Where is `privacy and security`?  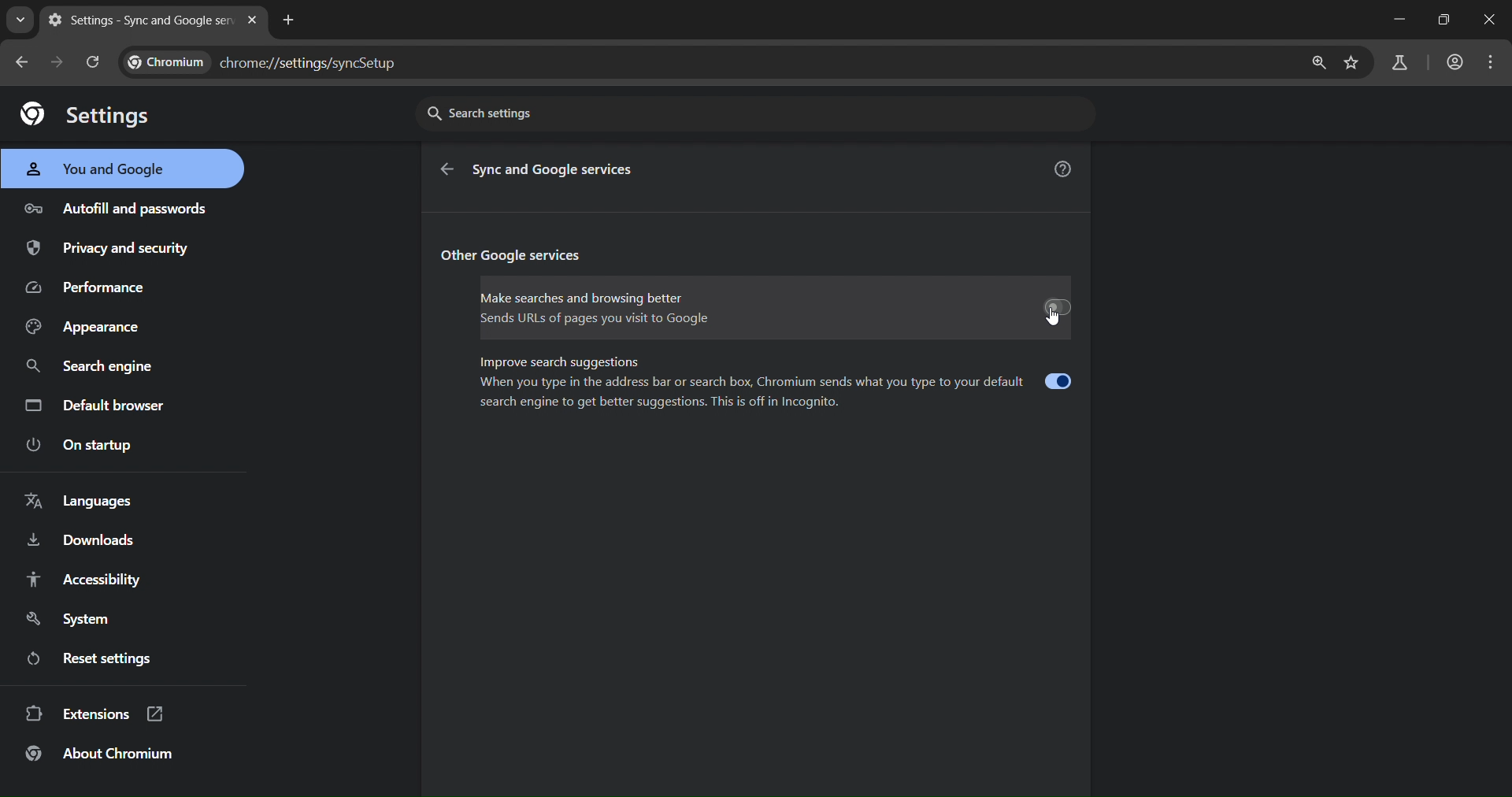 privacy and security is located at coordinates (112, 247).